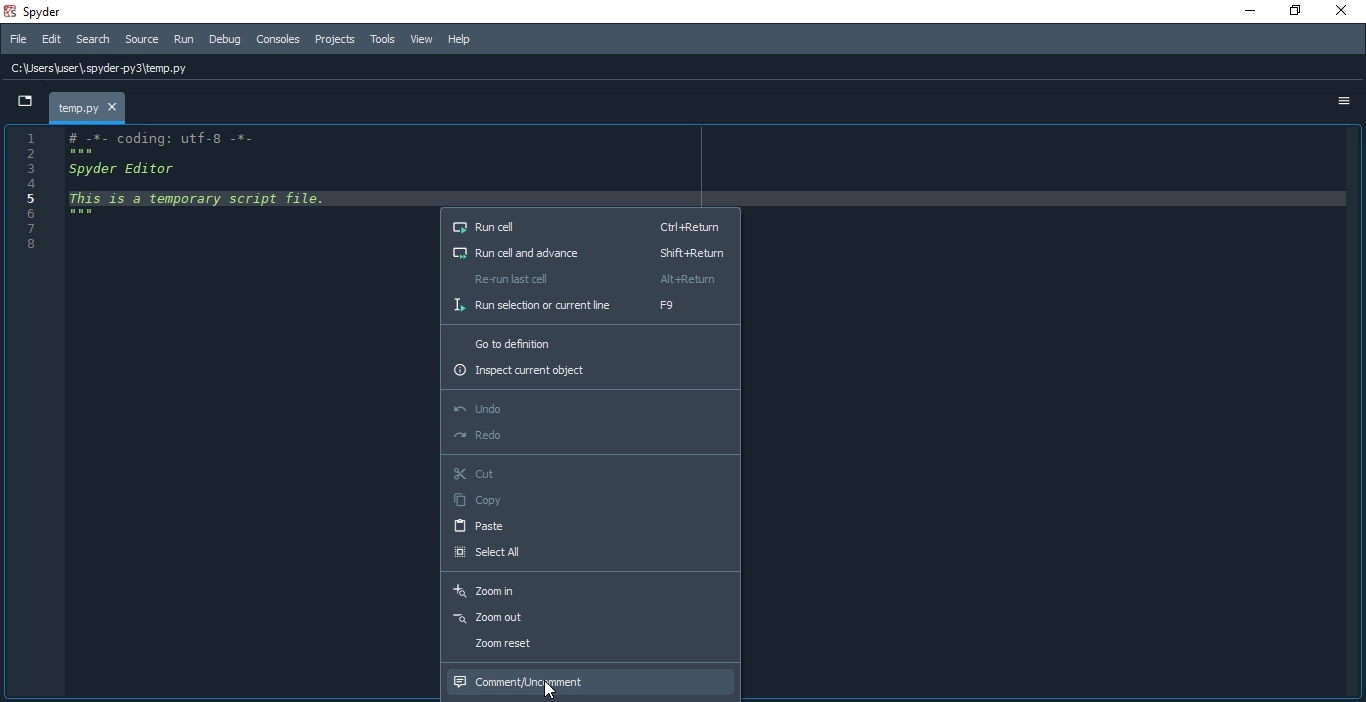 This screenshot has width=1366, height=702. What do you see at coordinates (587, 647) in the screenshot?
I see `Zoom reset` at bounding box center [587, 647].